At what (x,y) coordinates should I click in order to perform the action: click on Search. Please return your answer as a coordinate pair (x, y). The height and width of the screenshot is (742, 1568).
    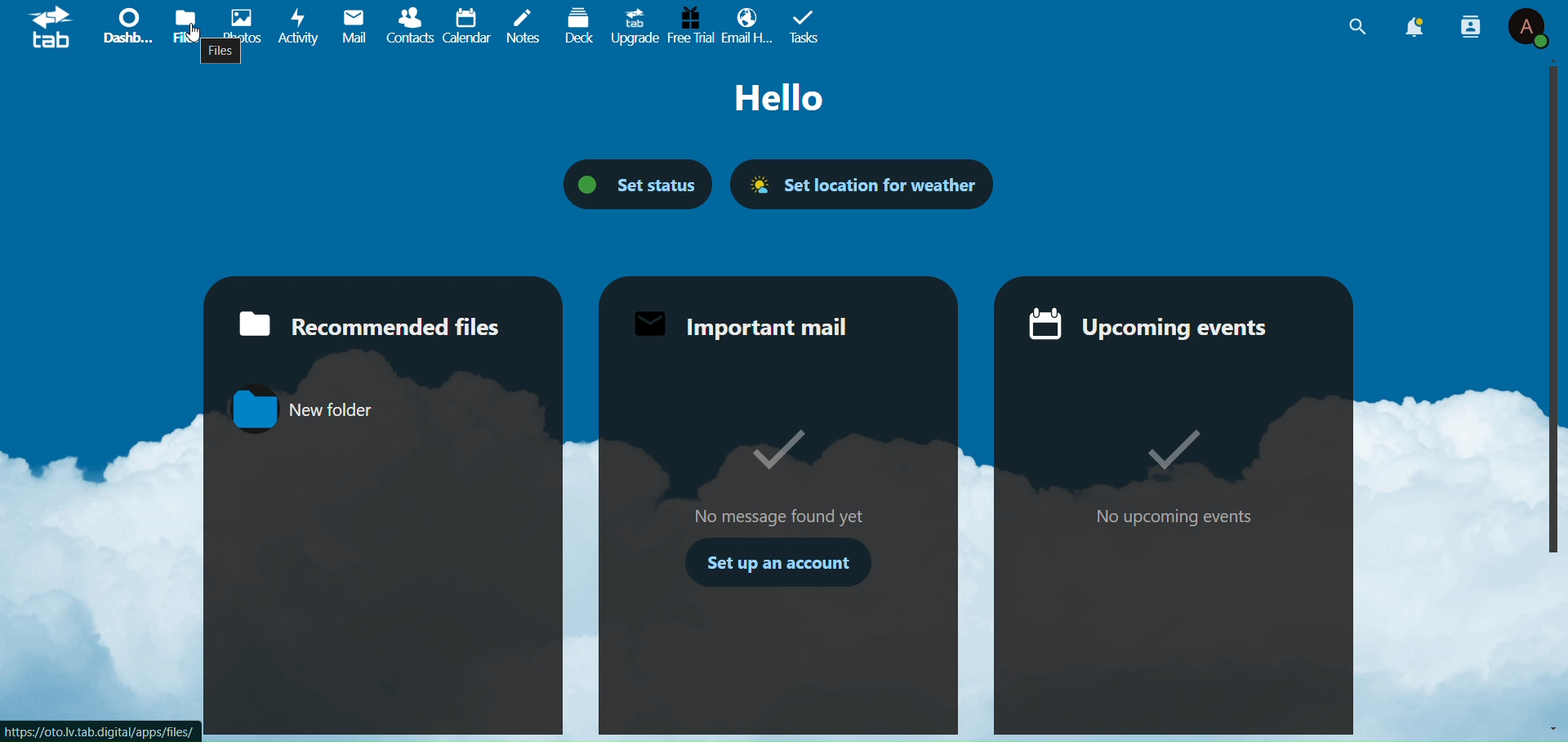
    Looking at the image, I should click on (1354, 28).